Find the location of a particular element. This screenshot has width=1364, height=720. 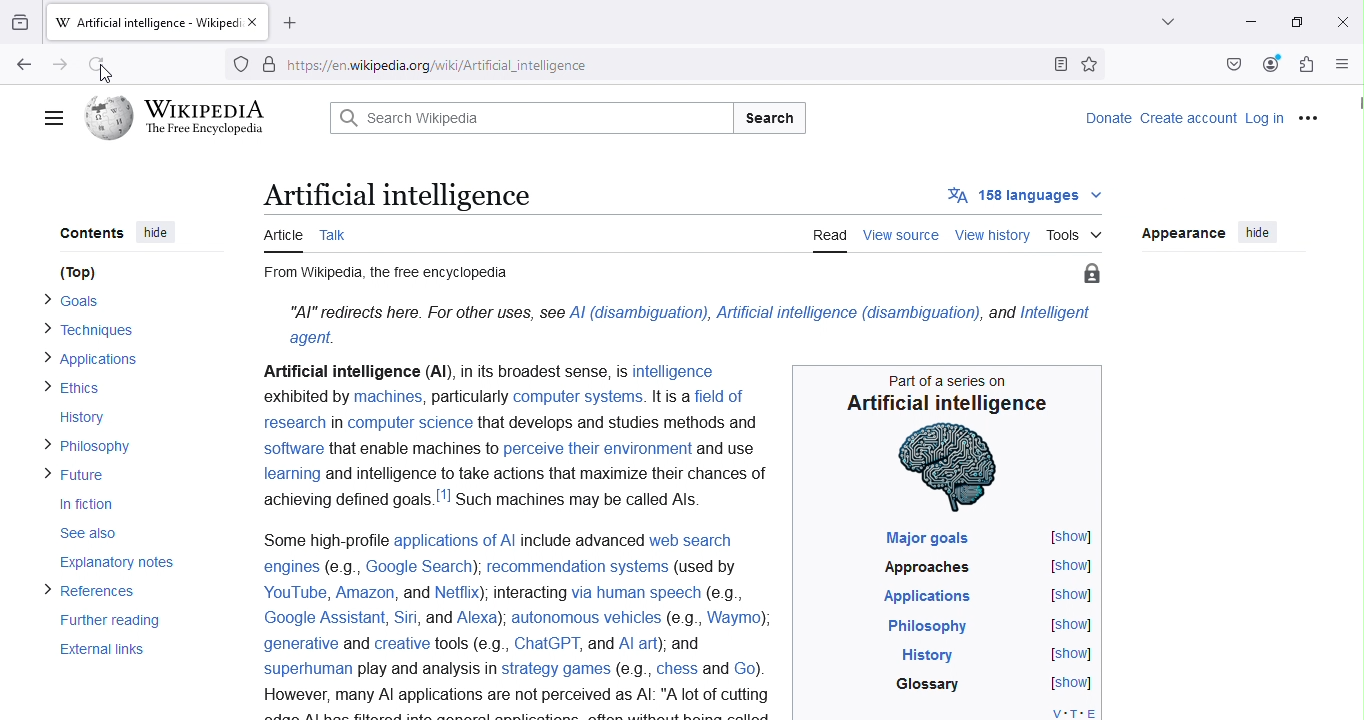

[show] is located at coordinates (1071, 568).